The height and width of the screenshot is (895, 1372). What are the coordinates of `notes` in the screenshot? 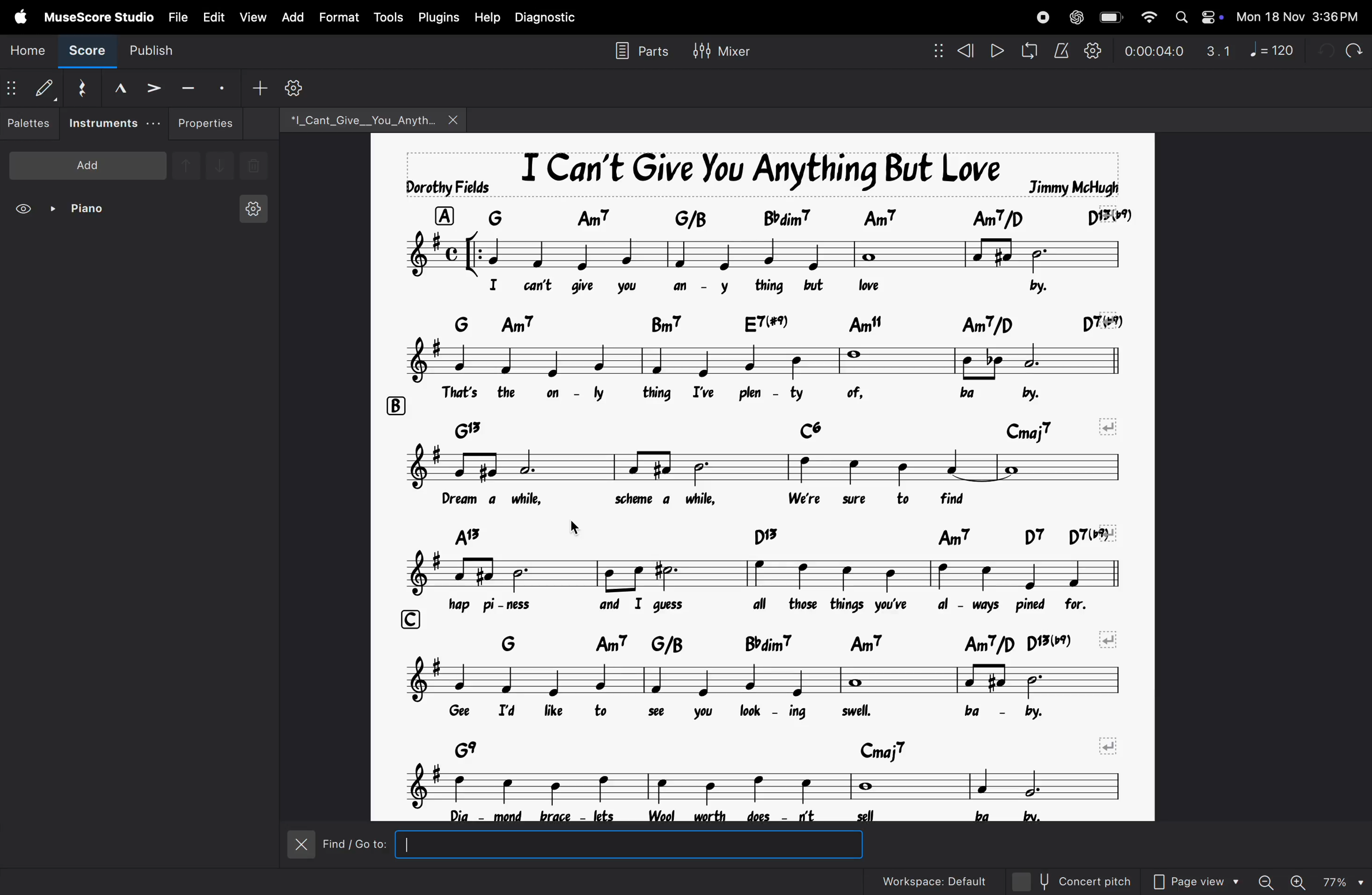 It's located at (774, 681).